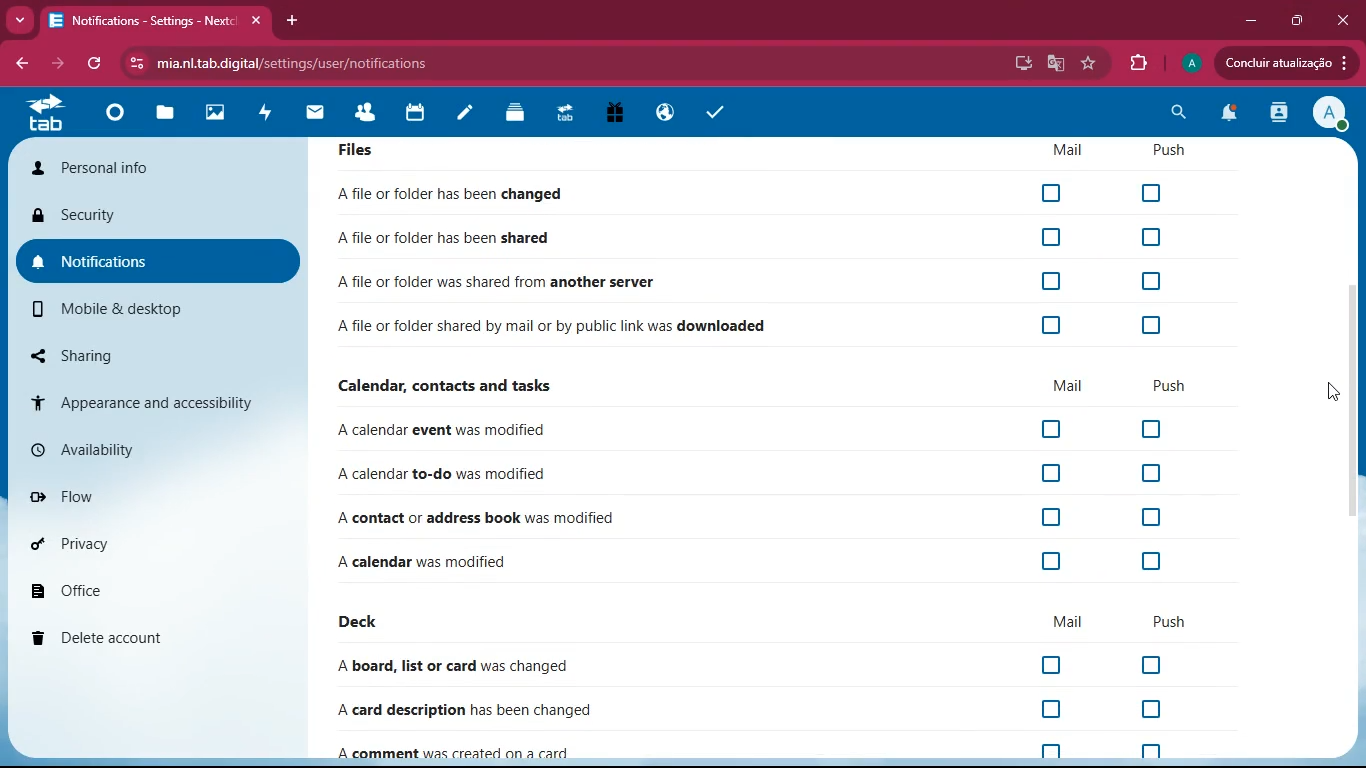  I want to click on activity, so click(1281, 114).